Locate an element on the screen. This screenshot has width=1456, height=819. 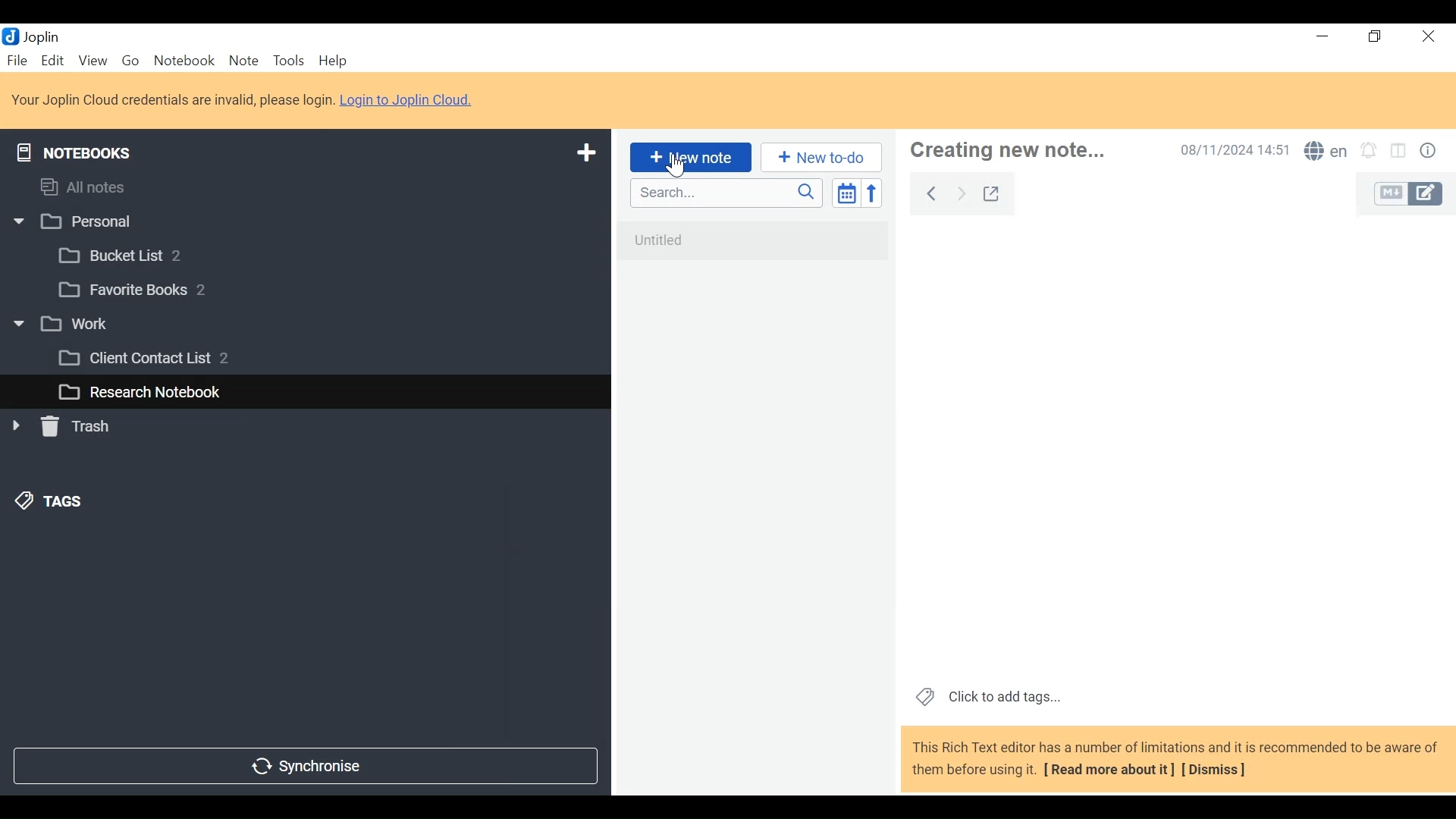
Minimize is located at coordinates (1321, 36).